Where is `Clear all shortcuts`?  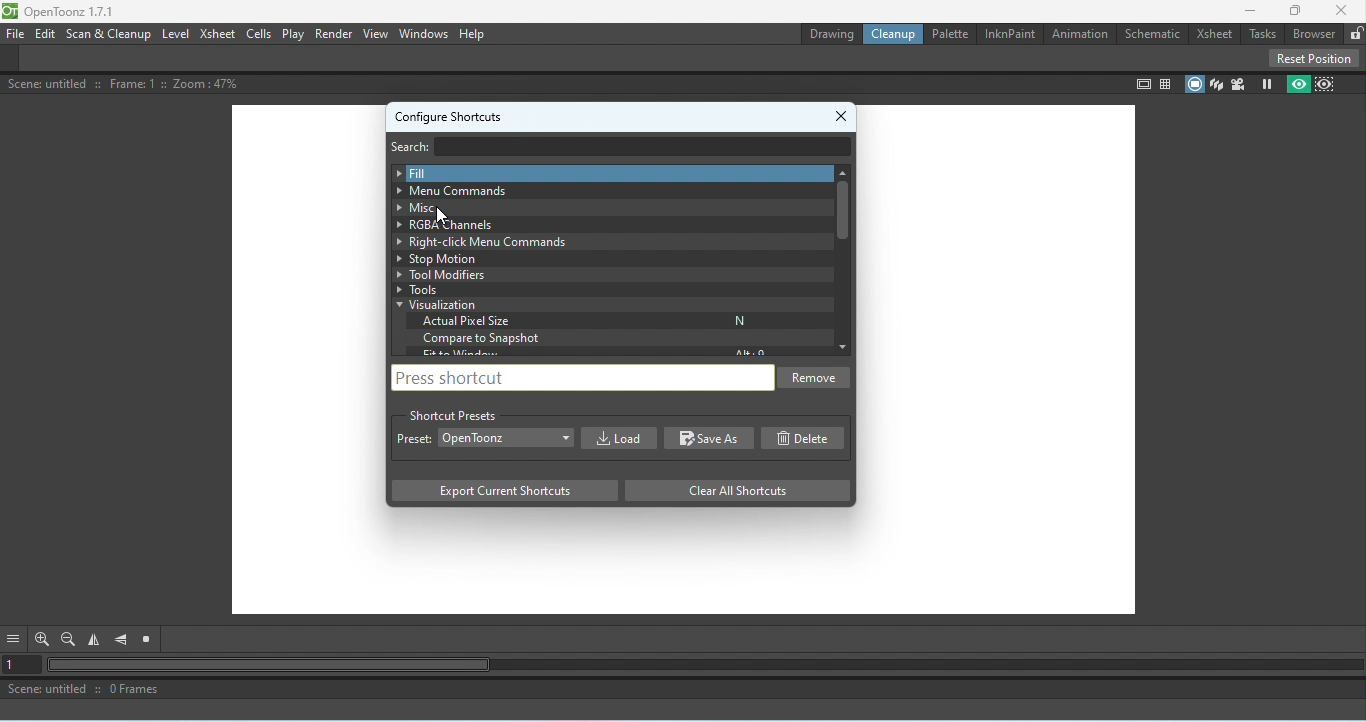 Clear all shortcuts is located at coordinates (731, 490).